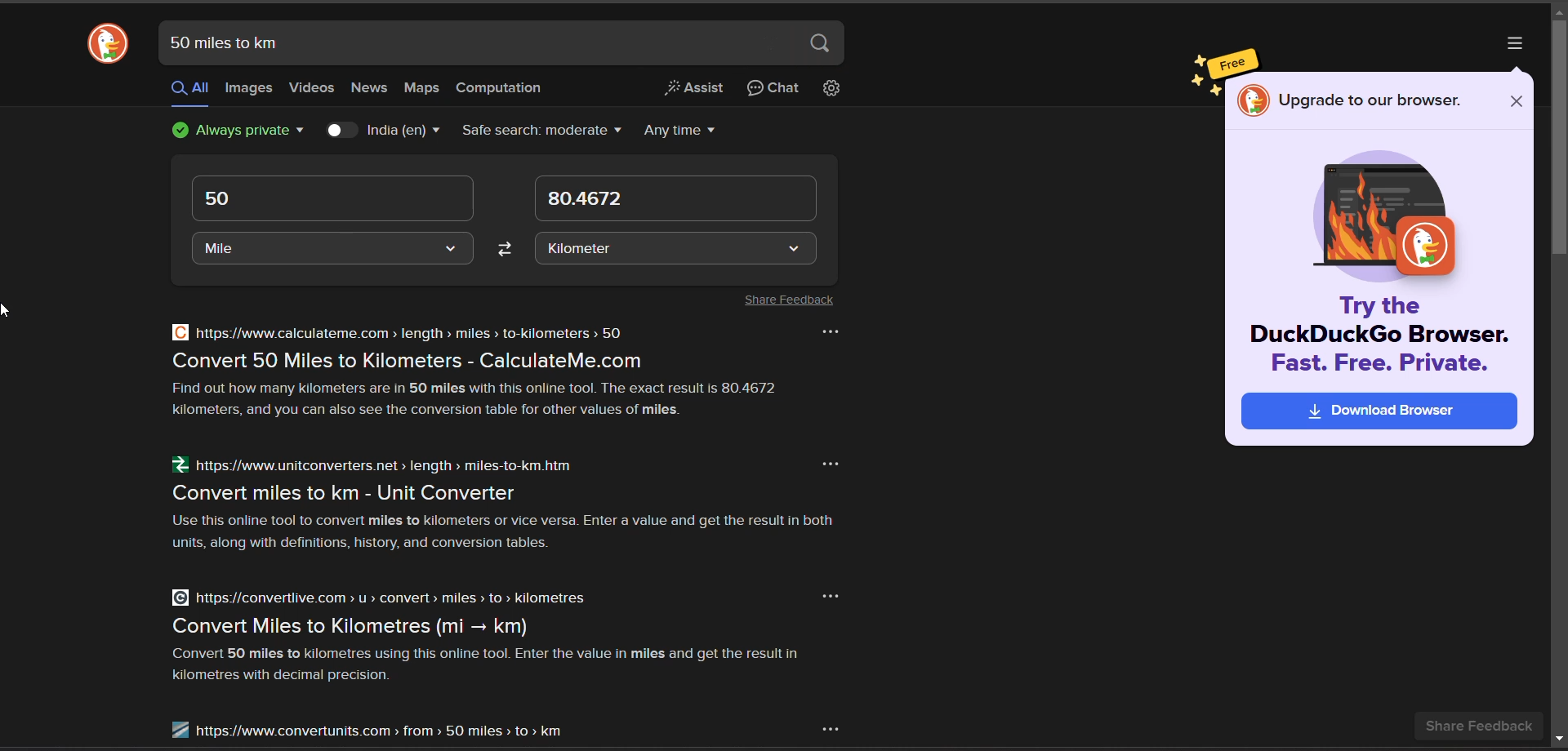 The height and width of the screenshot is (751, 1568). I want to click on chat privately with AI, so click(773, 90).